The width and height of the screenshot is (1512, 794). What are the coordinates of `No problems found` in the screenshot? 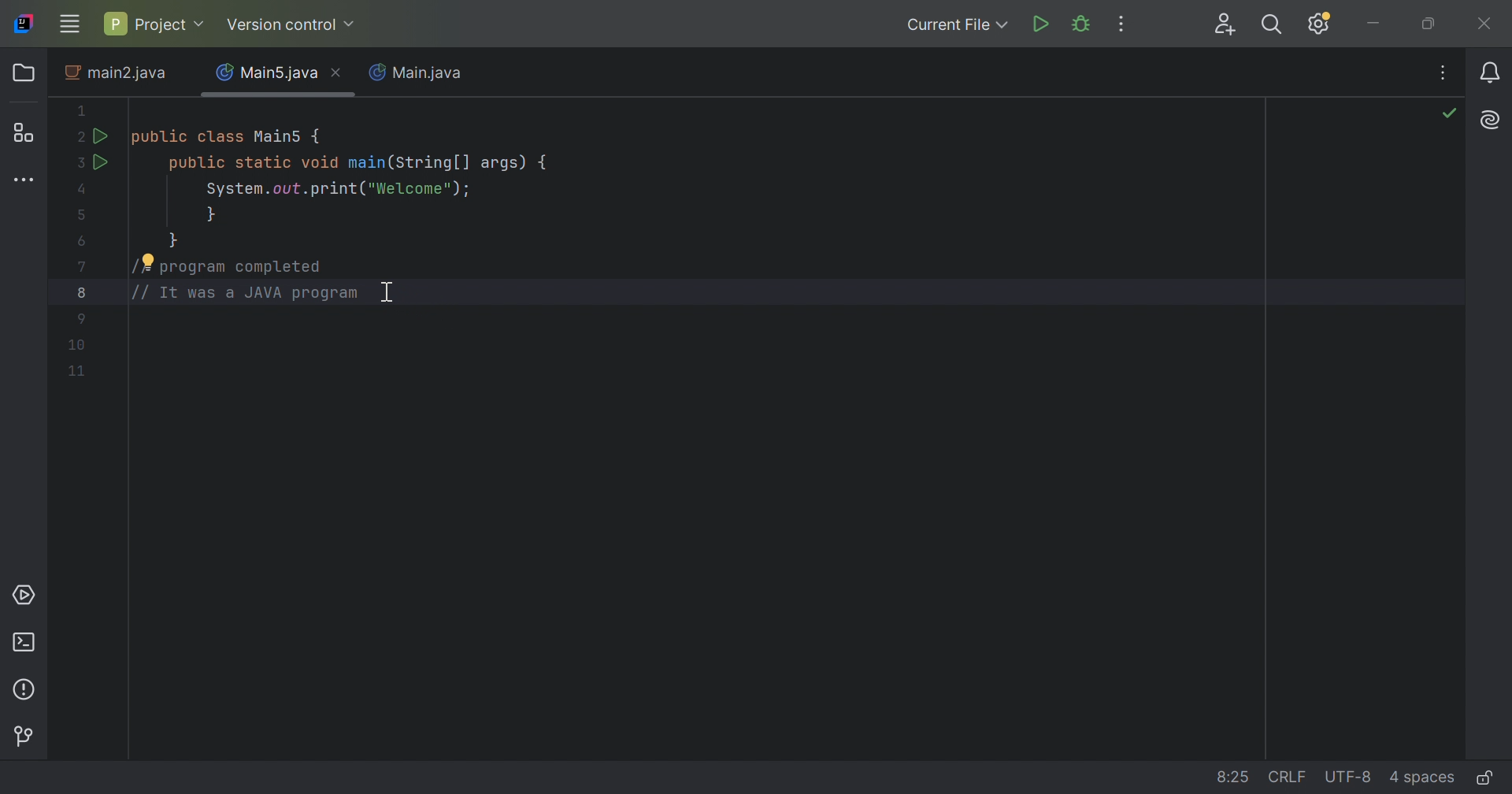 It's located at (1451, 116).